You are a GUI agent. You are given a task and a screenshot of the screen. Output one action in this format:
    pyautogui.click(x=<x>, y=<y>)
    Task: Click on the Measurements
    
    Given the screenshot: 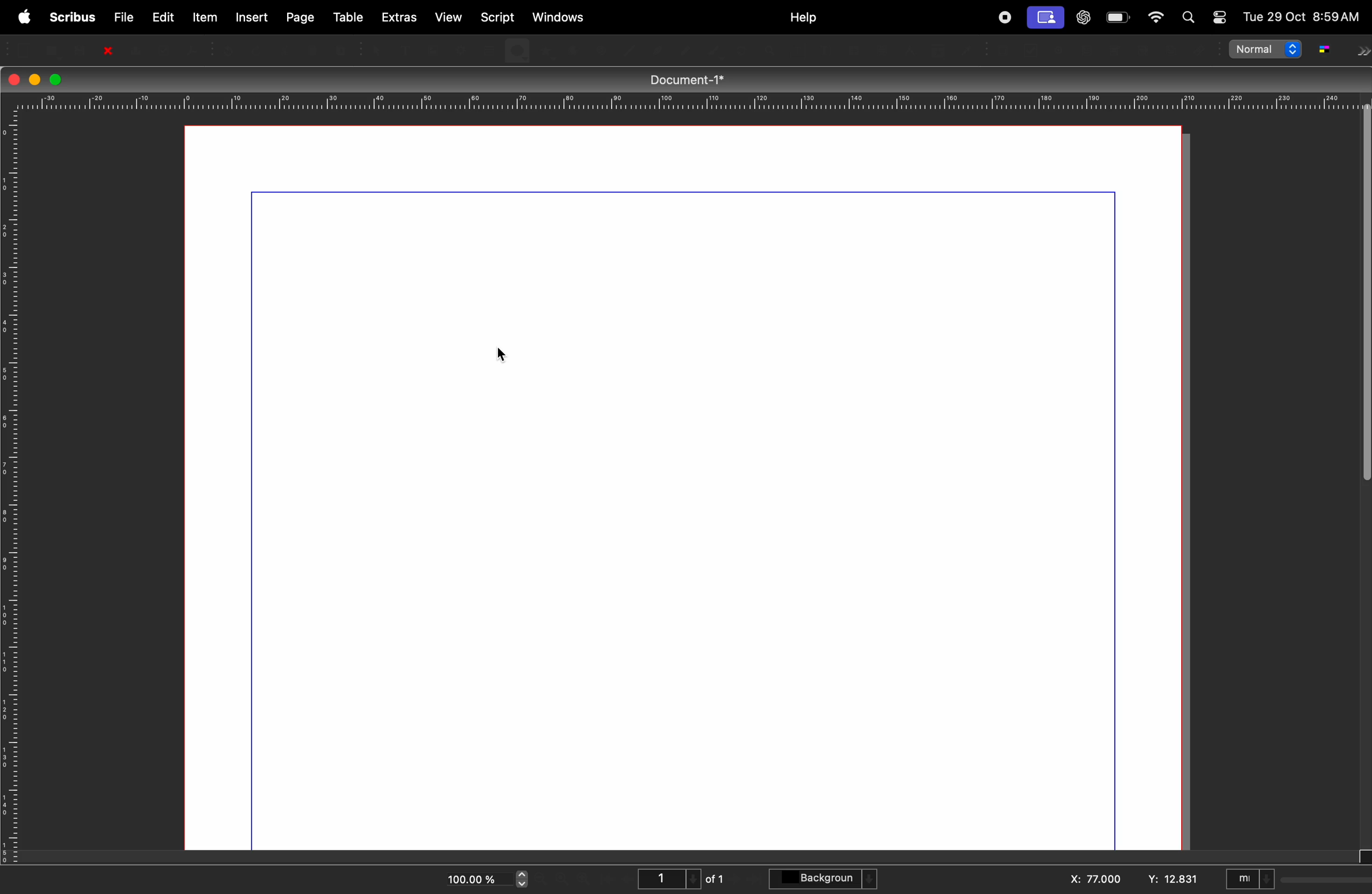 What is the action you would take?
    pyautogui.click(x=910, y=51)
    